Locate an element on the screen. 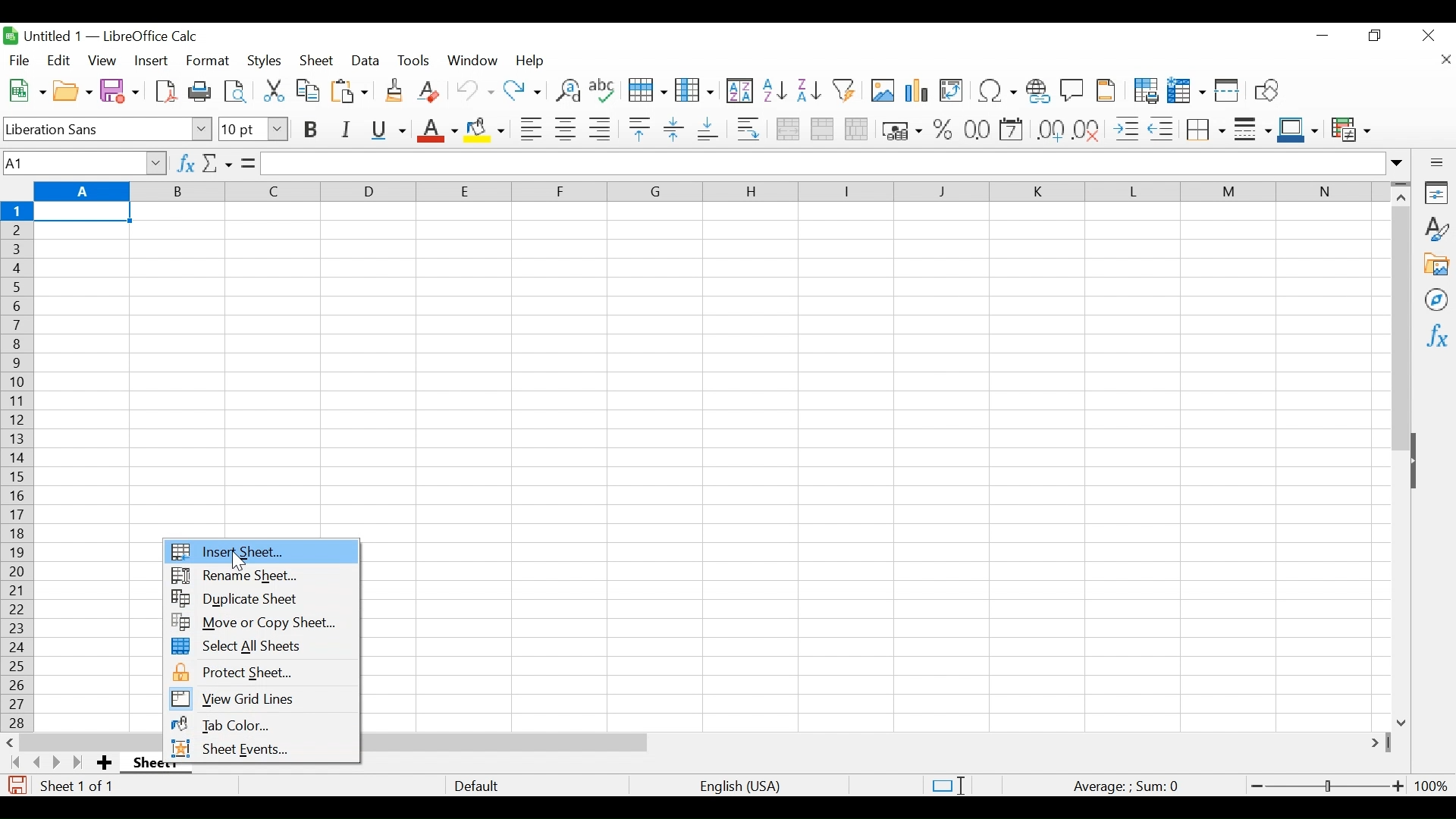 This screenshot has width=1456, height=819. Align Right is located at coordinates (599, 129).